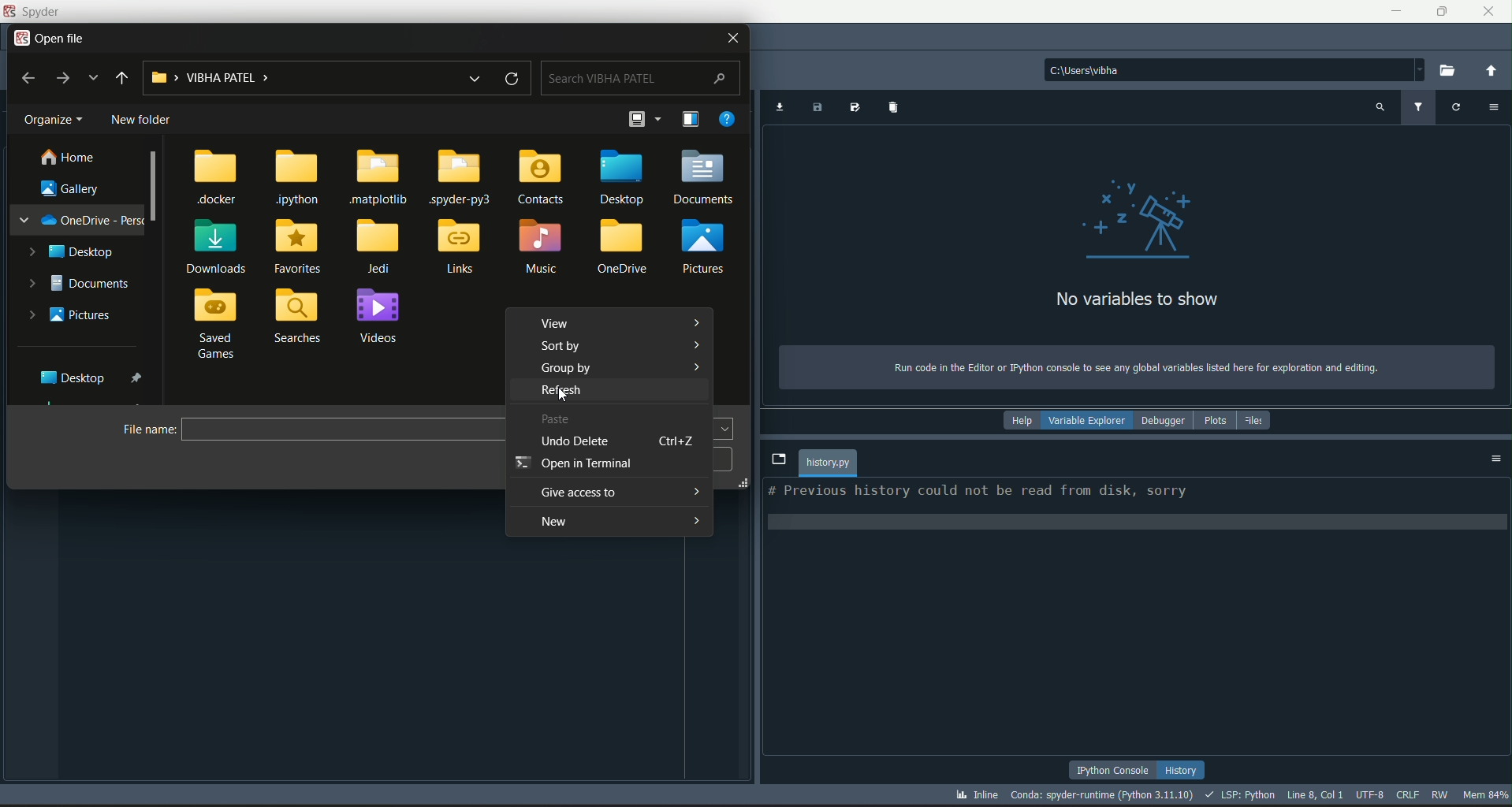 The width and height of the screenshot is (1512, 807). Describe the element at coordinates (341, 430) in the screenshot. I see `file path` at that location.